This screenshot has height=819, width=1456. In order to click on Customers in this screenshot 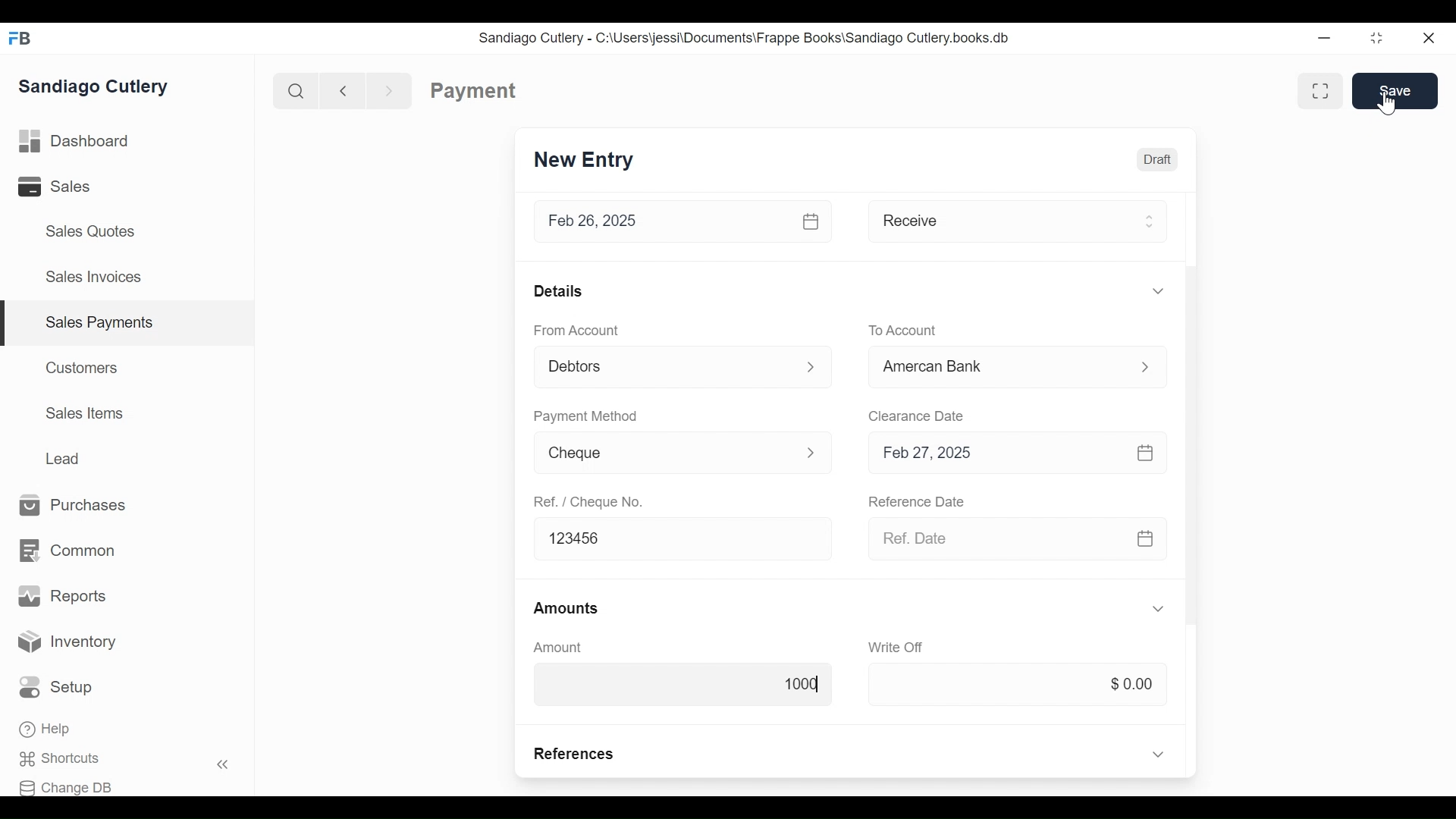, I will do `click(83, 367)`.